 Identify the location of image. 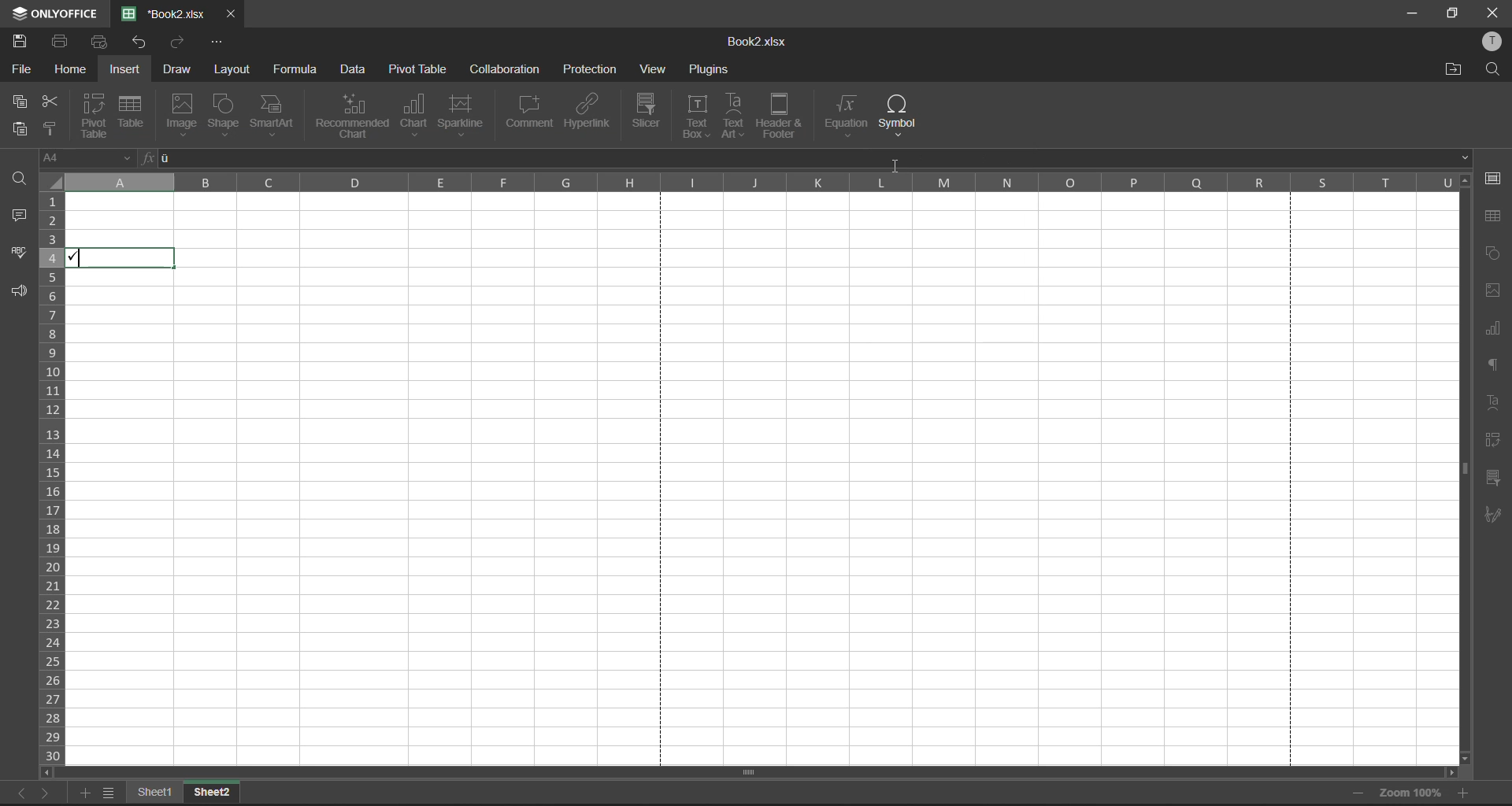
(183, 115).